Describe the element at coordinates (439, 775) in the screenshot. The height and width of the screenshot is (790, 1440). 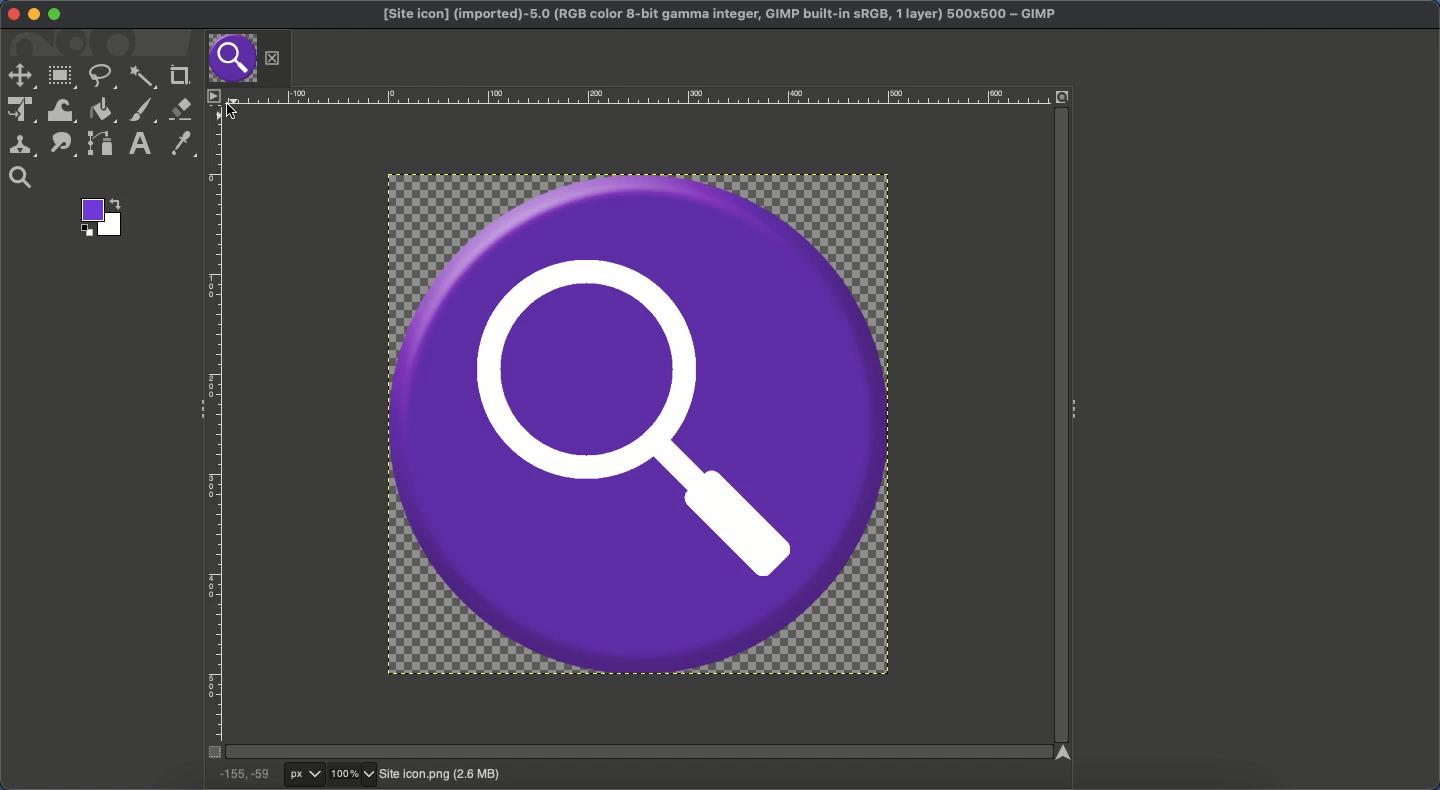
I see `Image` at that location.